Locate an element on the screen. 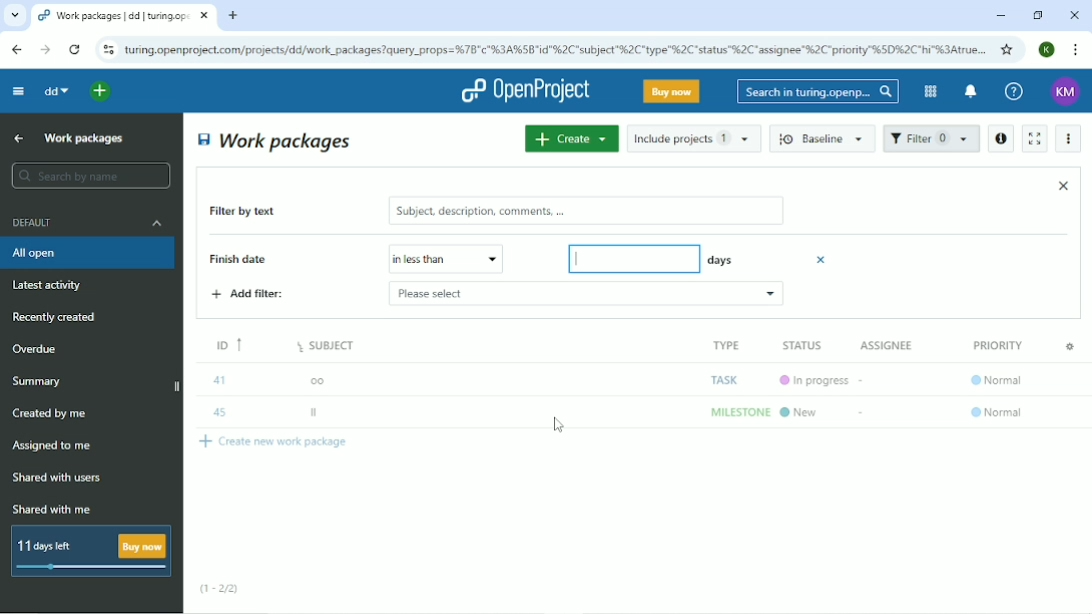 The image size is (1092, 614). Add filter is located at coordinates (249, 294).